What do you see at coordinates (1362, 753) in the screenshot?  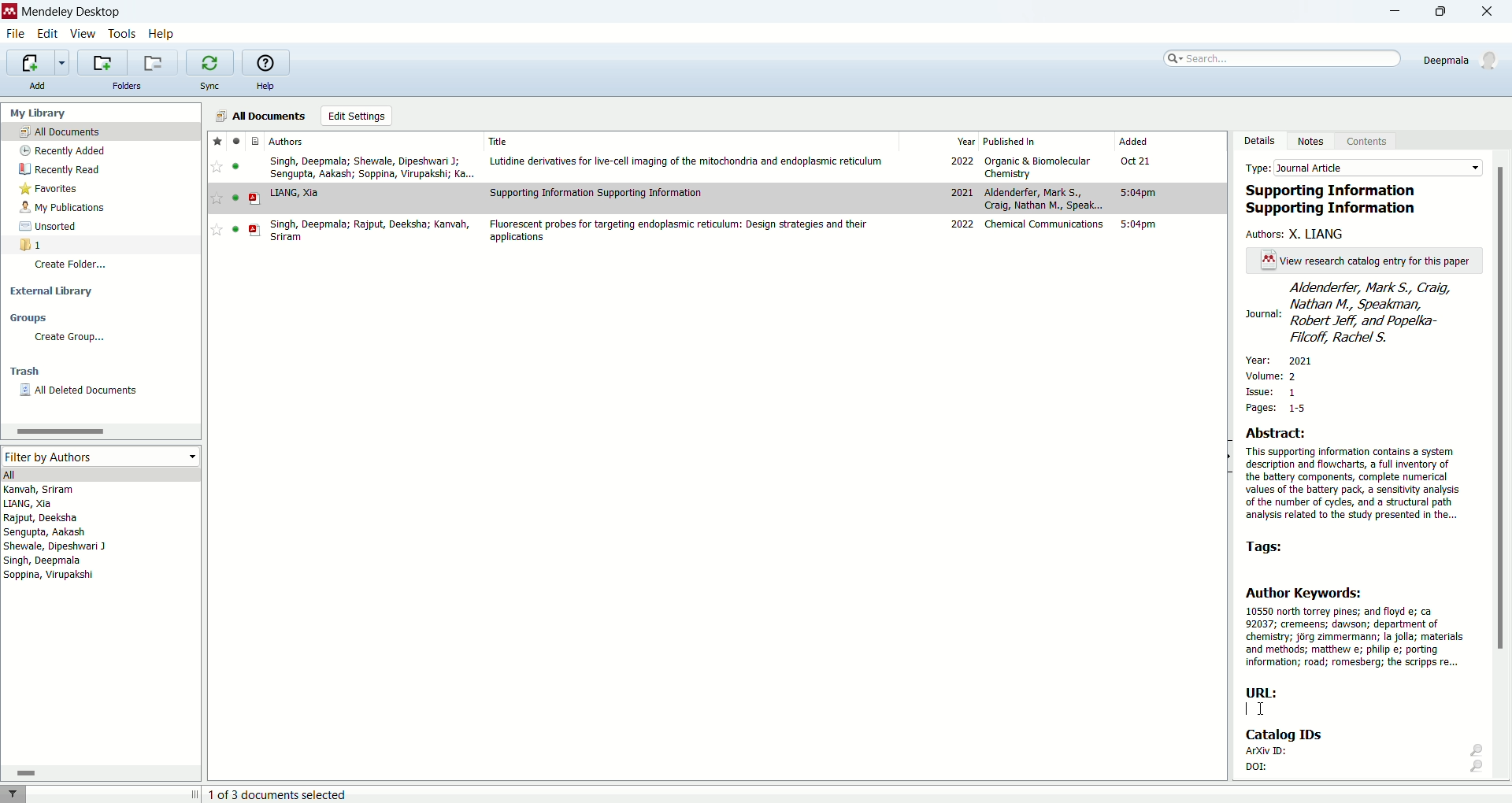 I see `ArXiv ID: ` at bounding box center [1362, 753].